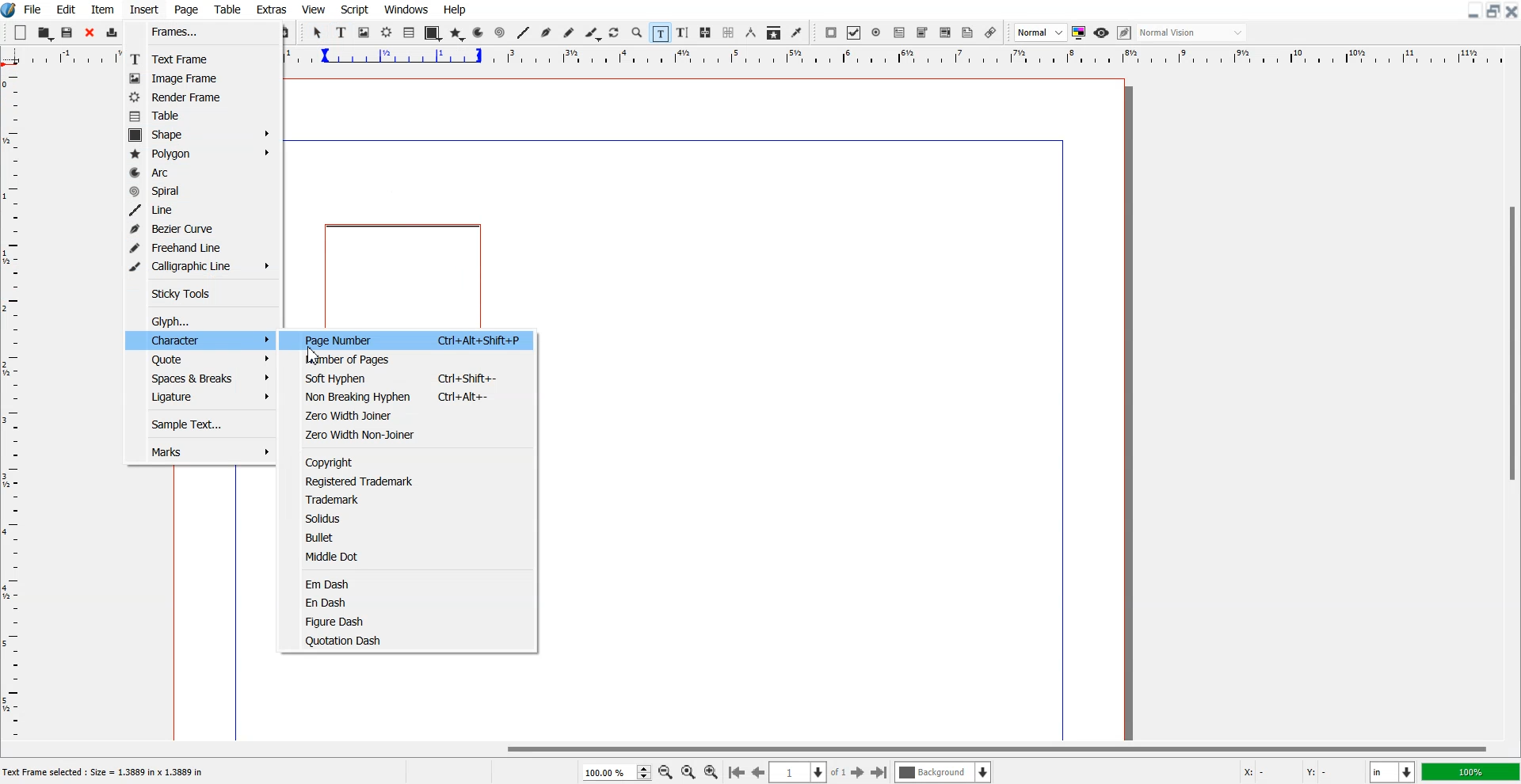 Image resolution: width=1521 pixels, height=784 pixels. I want to click on Extras, so click(272, 9).